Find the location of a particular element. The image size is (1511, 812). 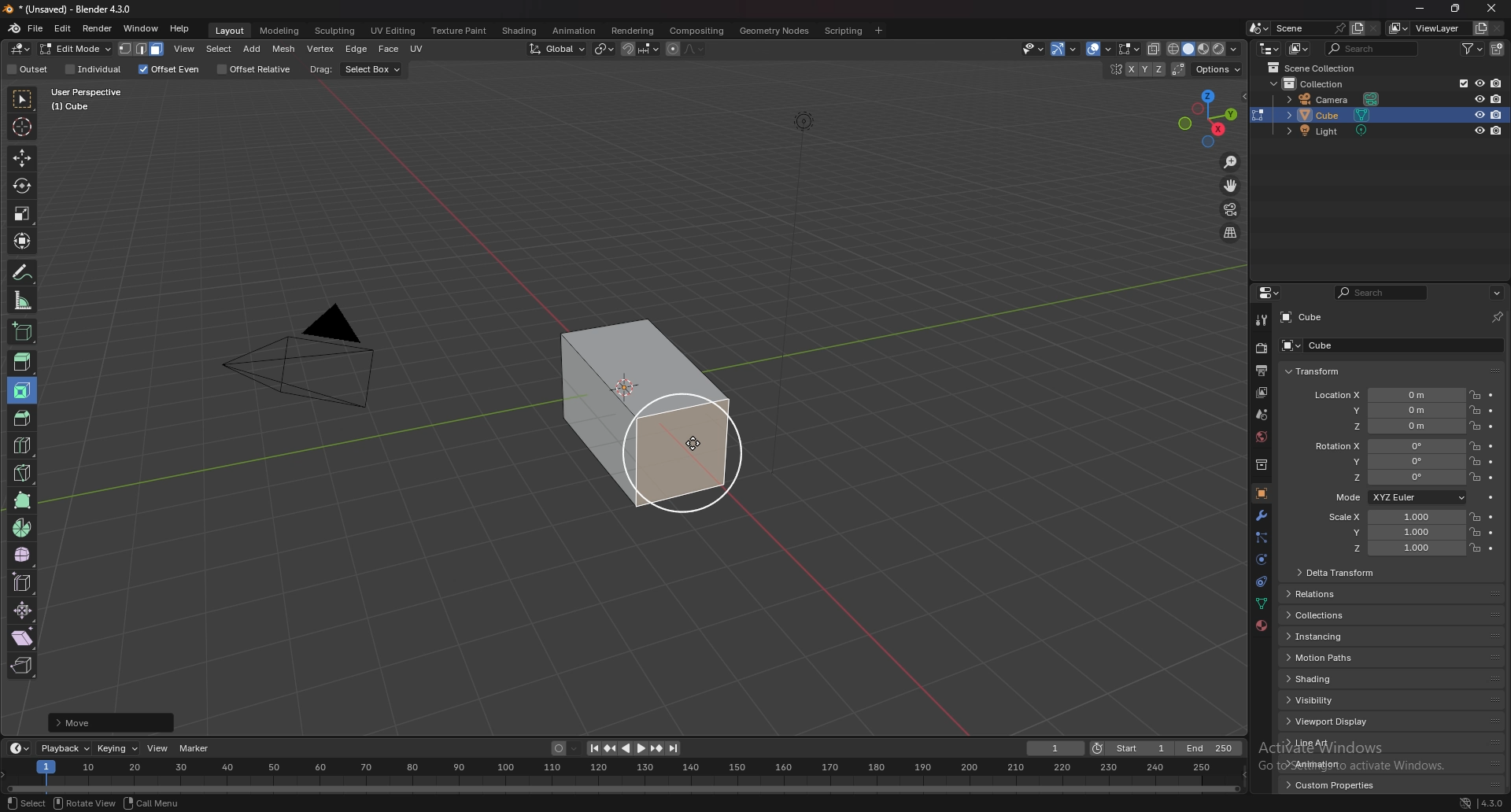

add view layer is located at coordinates (1480, 28).